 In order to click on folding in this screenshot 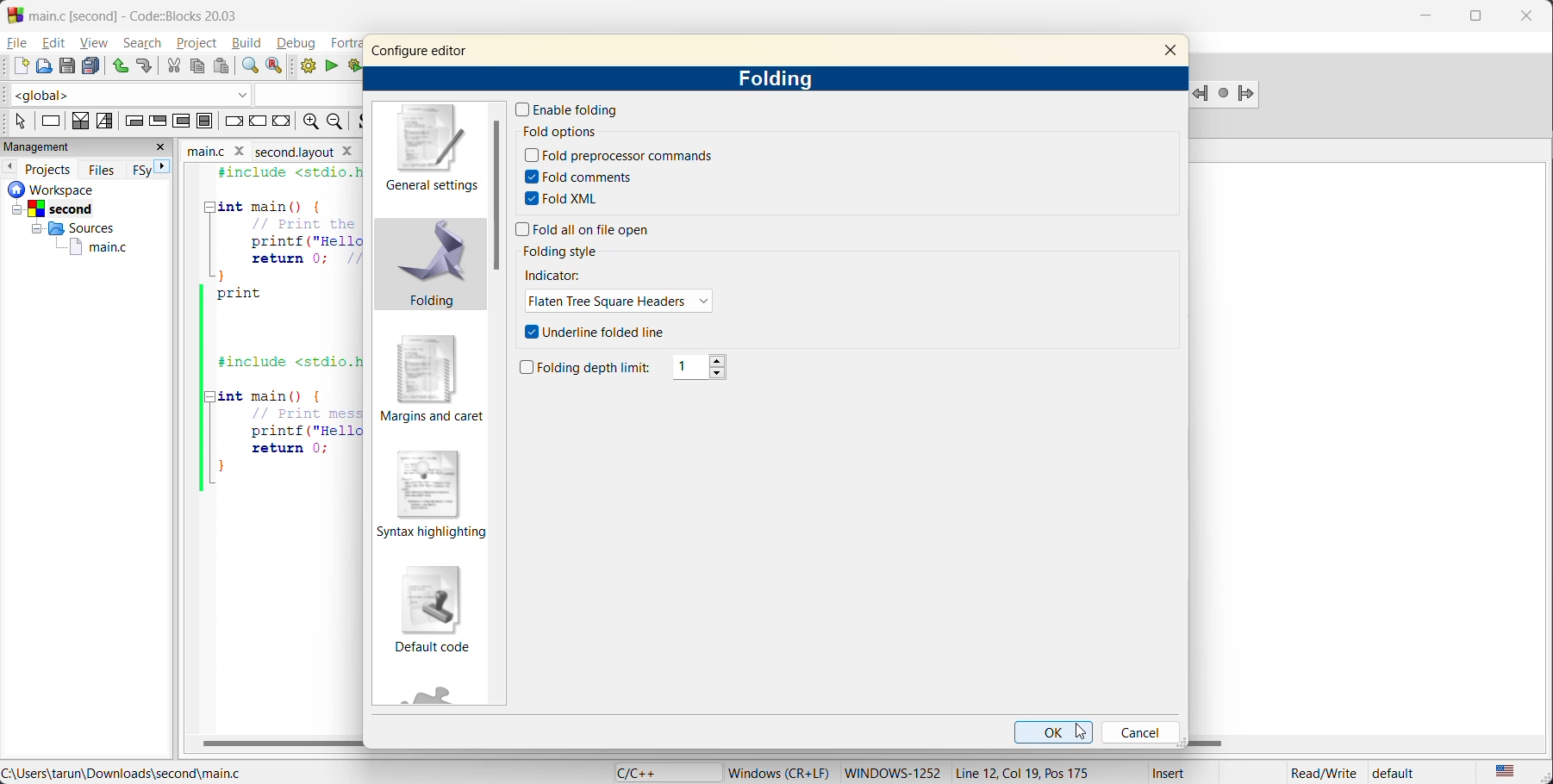, I will do `click(781, 81)`.